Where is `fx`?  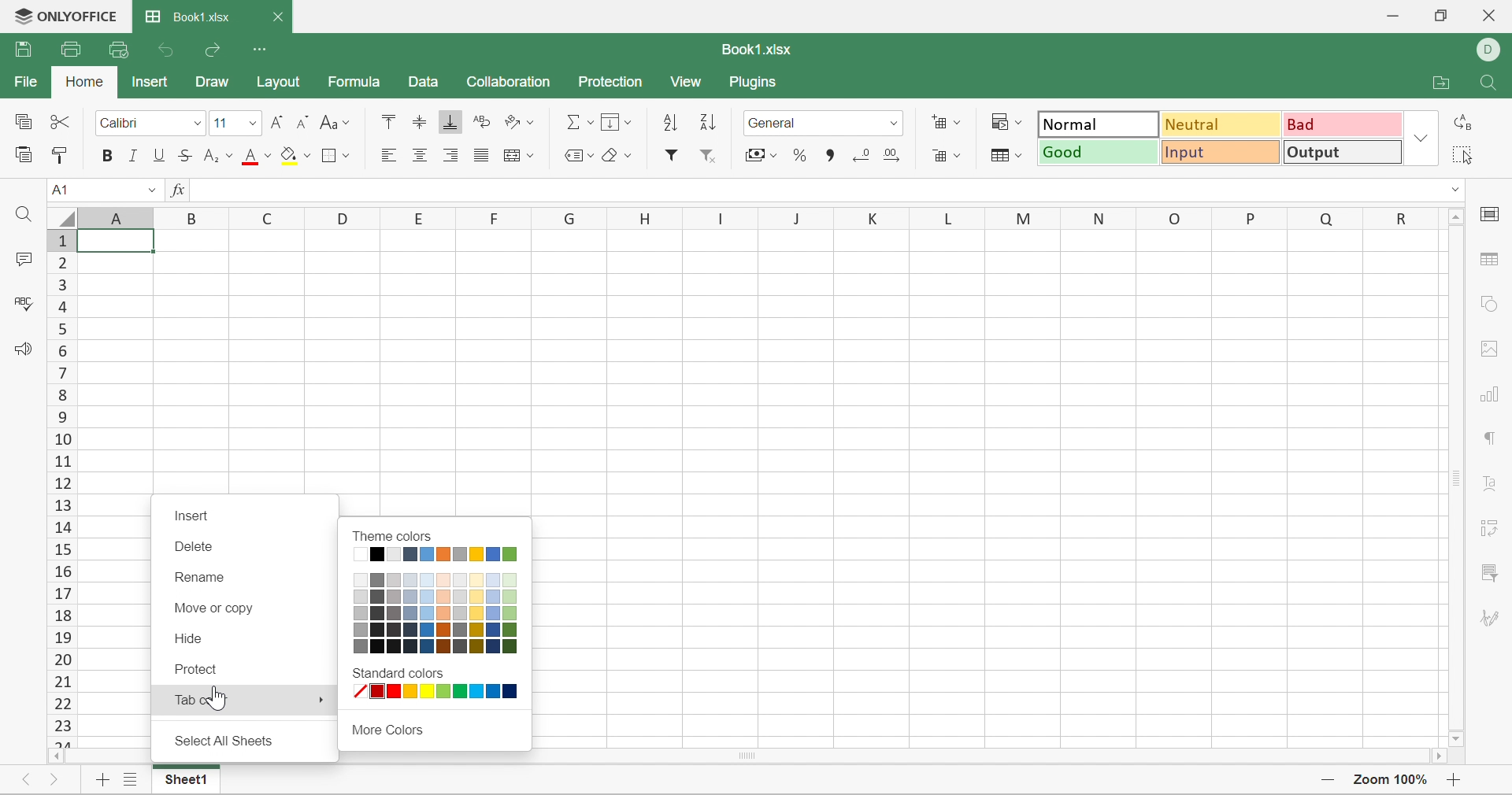 fx is located at coordinates (174, 190).